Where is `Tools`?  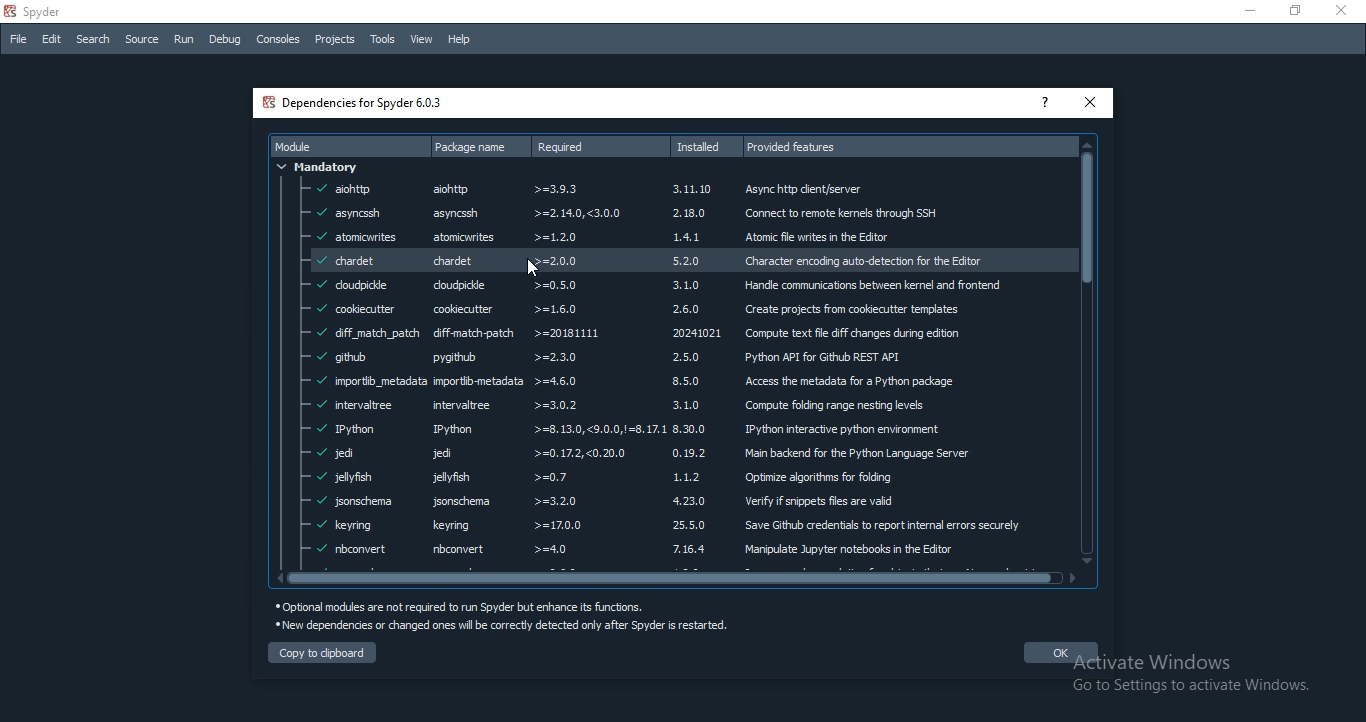 Tools is located at coordinates (383, 39).